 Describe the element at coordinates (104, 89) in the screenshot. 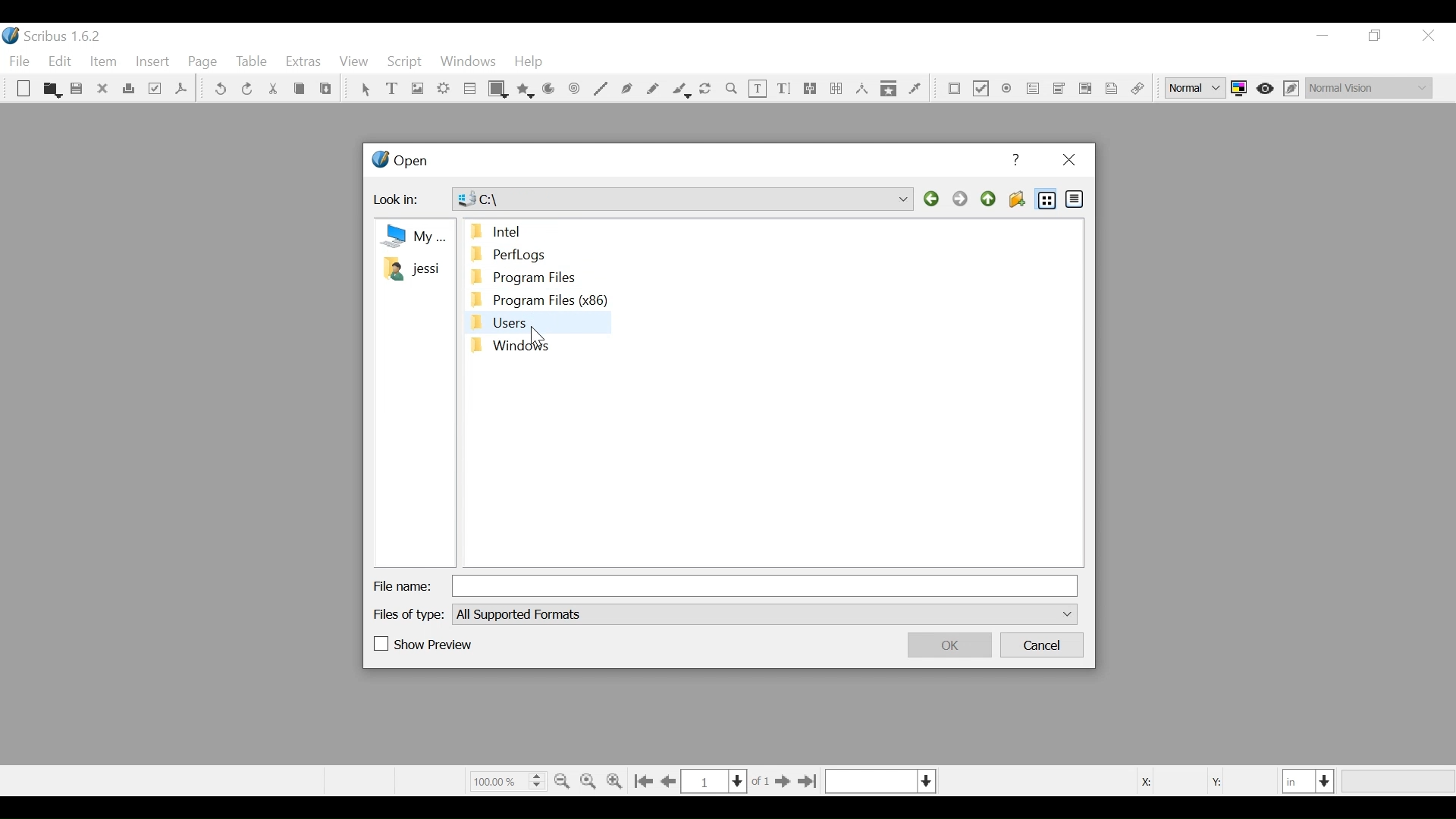

I see `Close` at that location.